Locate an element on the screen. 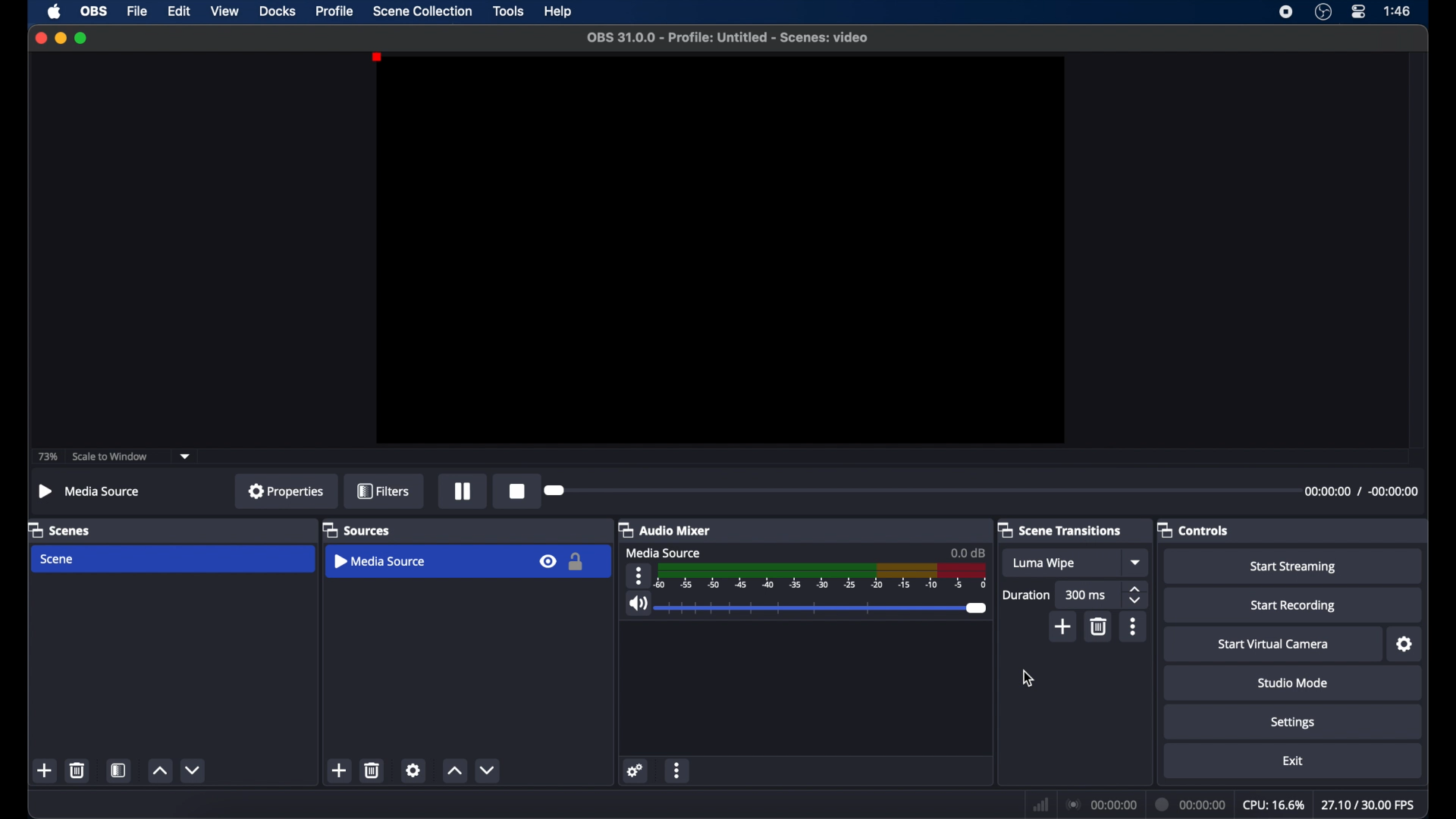 This screenshot has width=1456, height=819. maximize is located at coordinates (82, 38).